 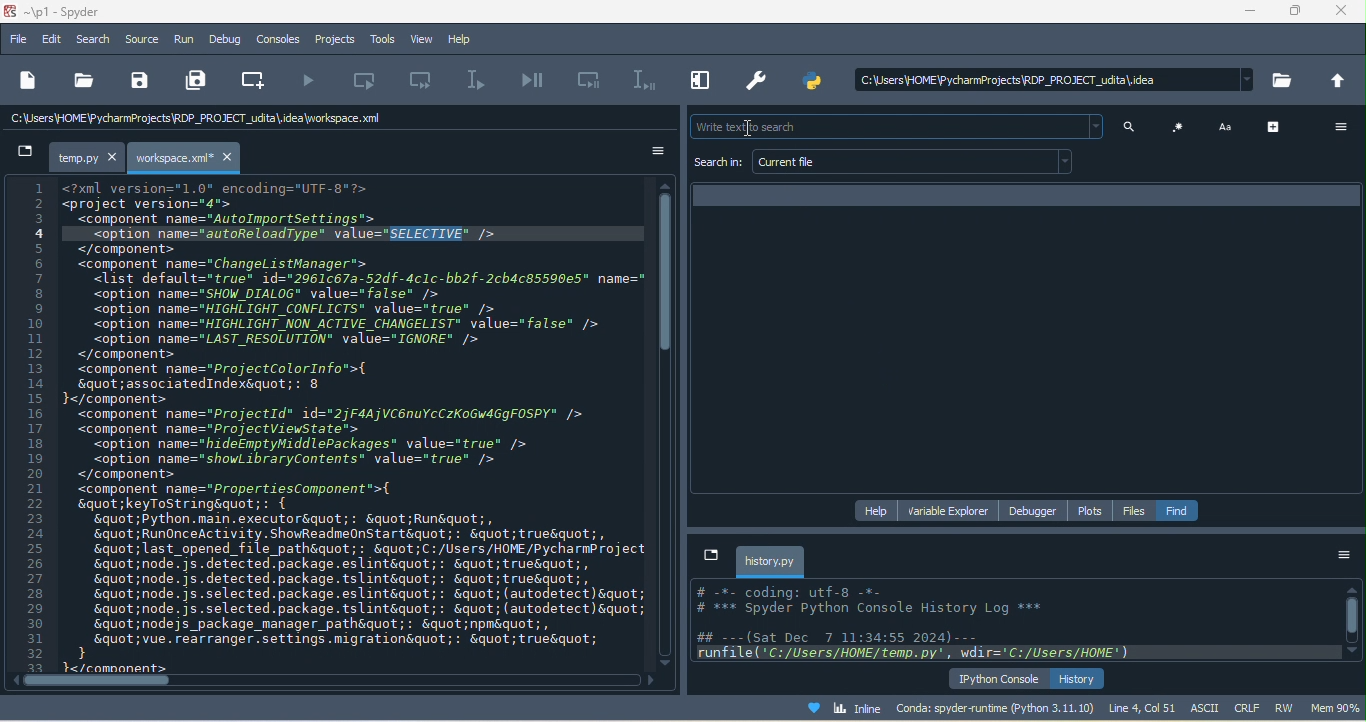 What do you see at coordinates (878, 509) in the screenshot?
I see `help` at bounding box center [878, 509].